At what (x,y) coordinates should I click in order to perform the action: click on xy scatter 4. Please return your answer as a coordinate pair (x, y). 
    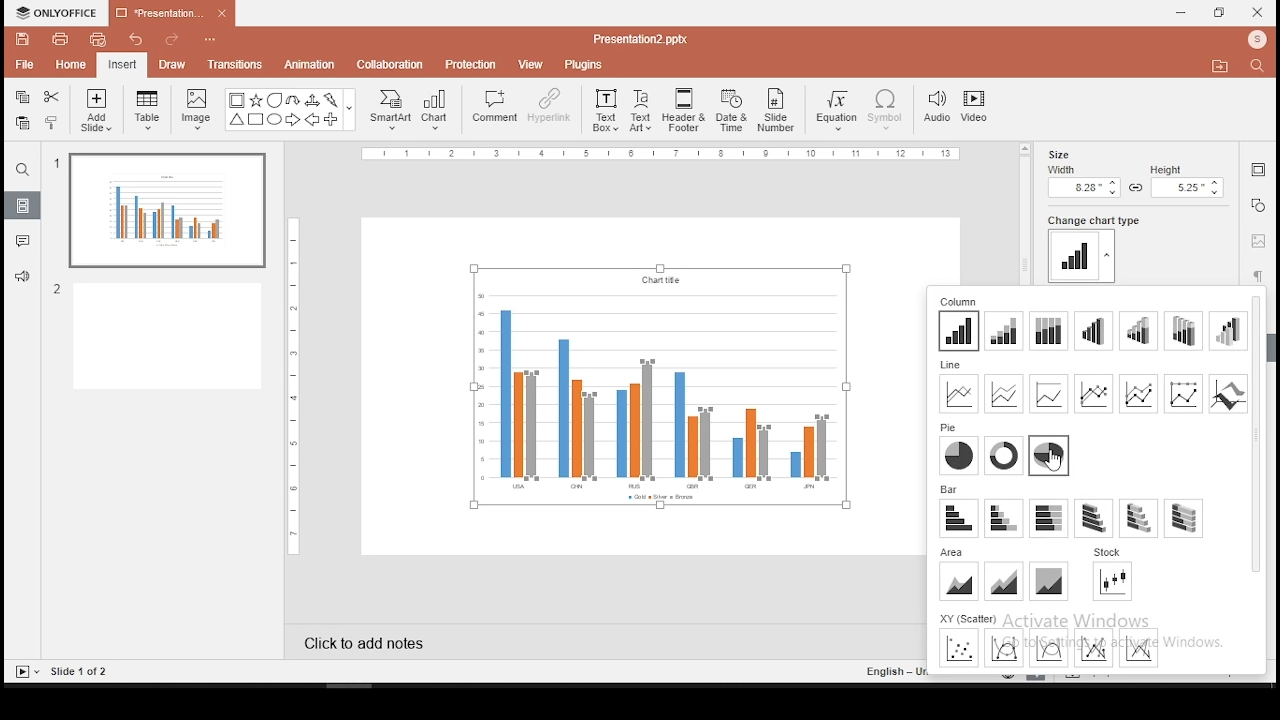
    Looking at the image, I should click on (1095, 647).